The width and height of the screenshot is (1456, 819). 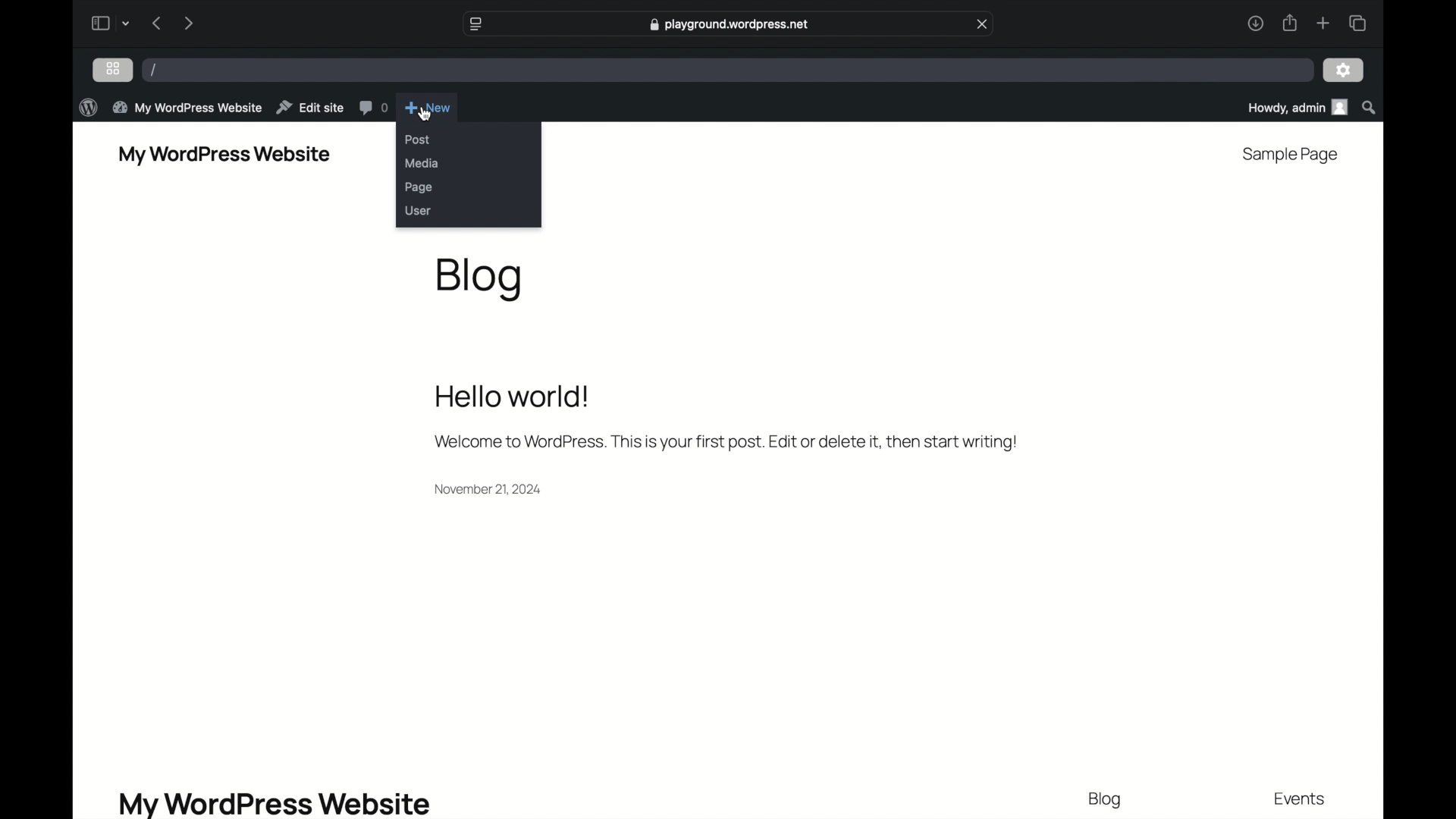 I want to click on Welcome message, so click(x=723, y=441).